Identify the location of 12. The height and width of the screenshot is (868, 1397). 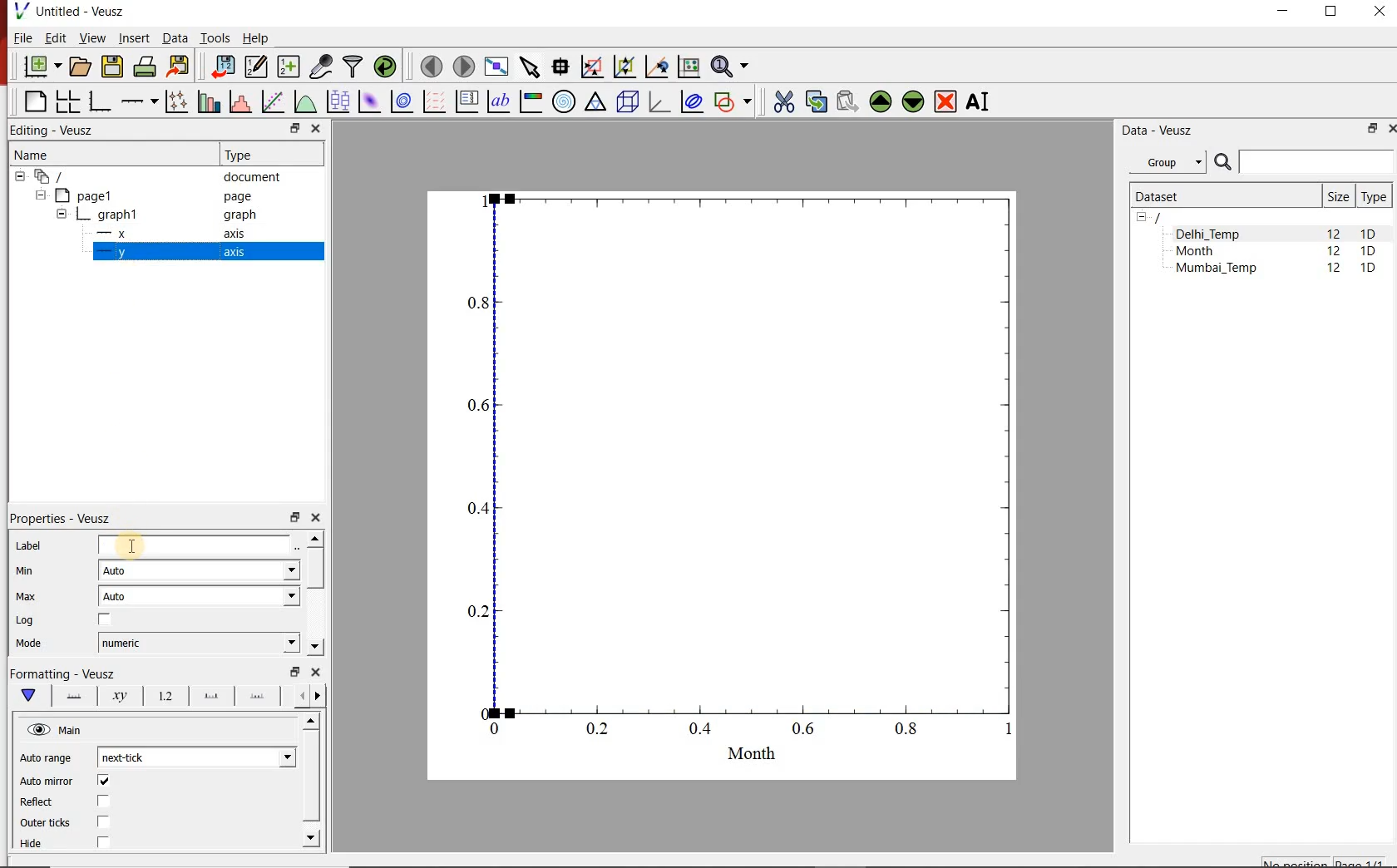
(1335, 270).